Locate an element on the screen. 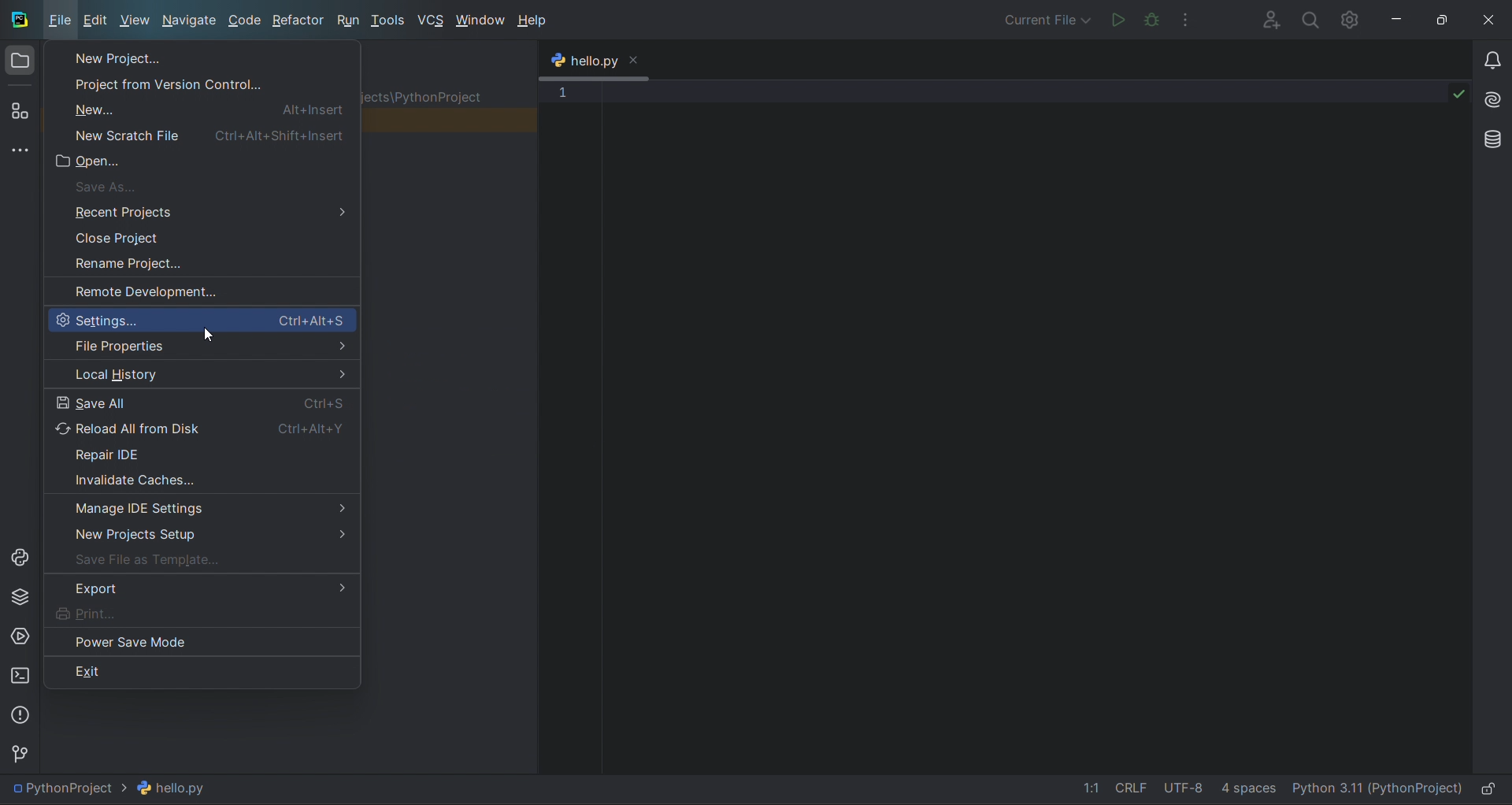  close is located at coordinates (1493, 20).